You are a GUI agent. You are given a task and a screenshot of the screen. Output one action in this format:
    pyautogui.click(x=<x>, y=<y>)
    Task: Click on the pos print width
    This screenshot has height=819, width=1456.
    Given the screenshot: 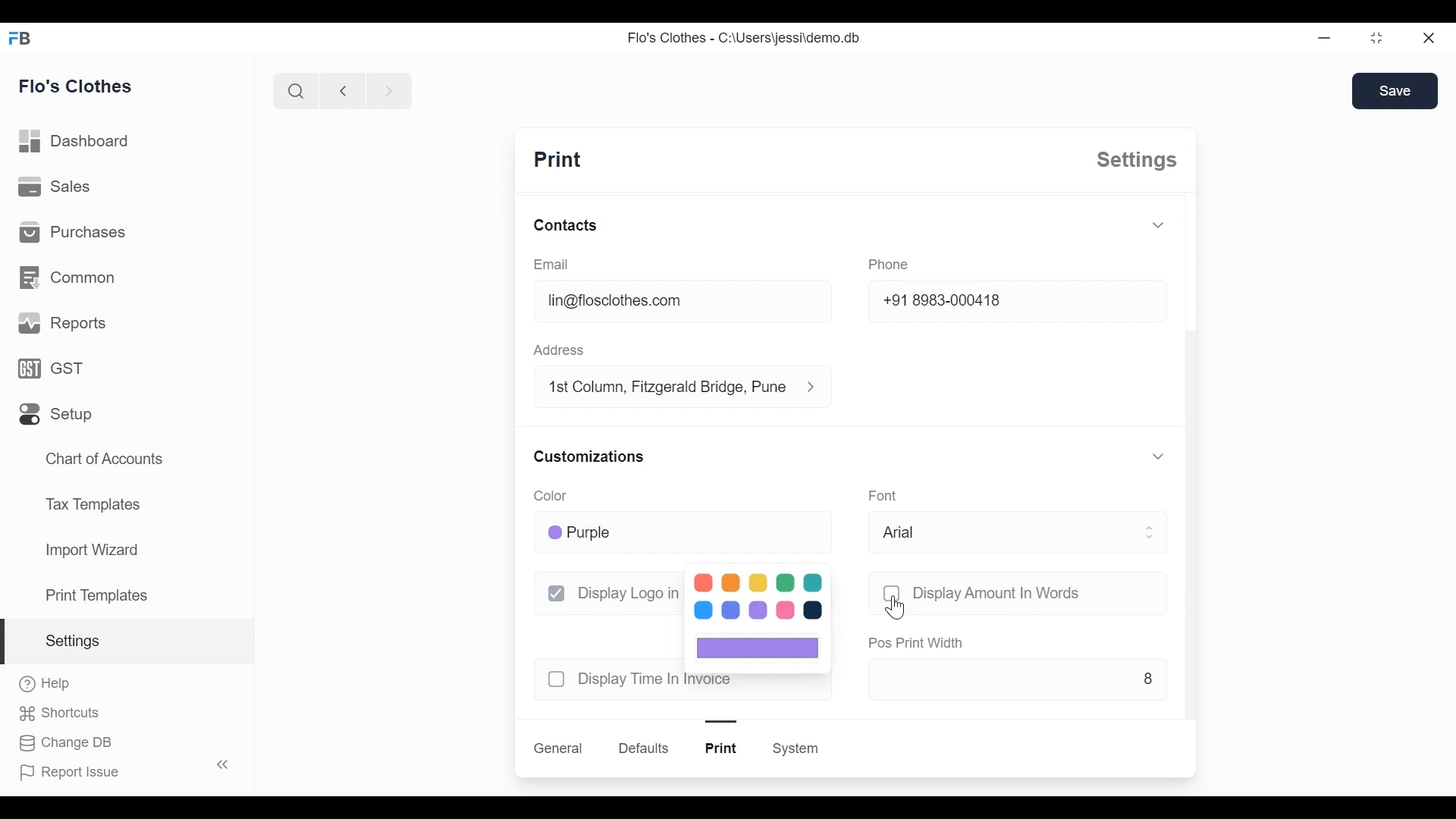 What is the action you would take?
    pyautogui.click(x=916, y=644)
    